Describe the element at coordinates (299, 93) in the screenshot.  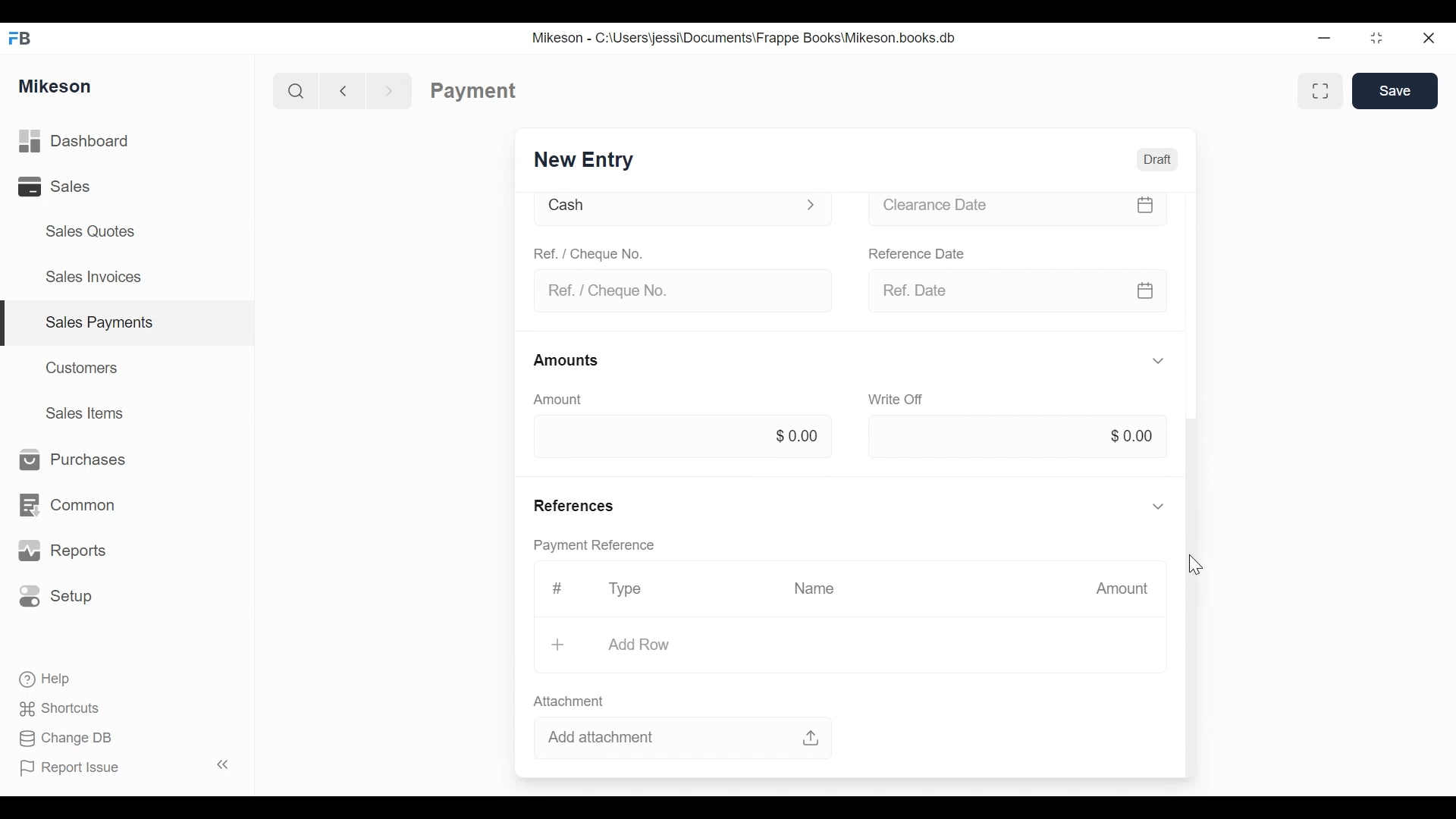
I see `Search` at that location.